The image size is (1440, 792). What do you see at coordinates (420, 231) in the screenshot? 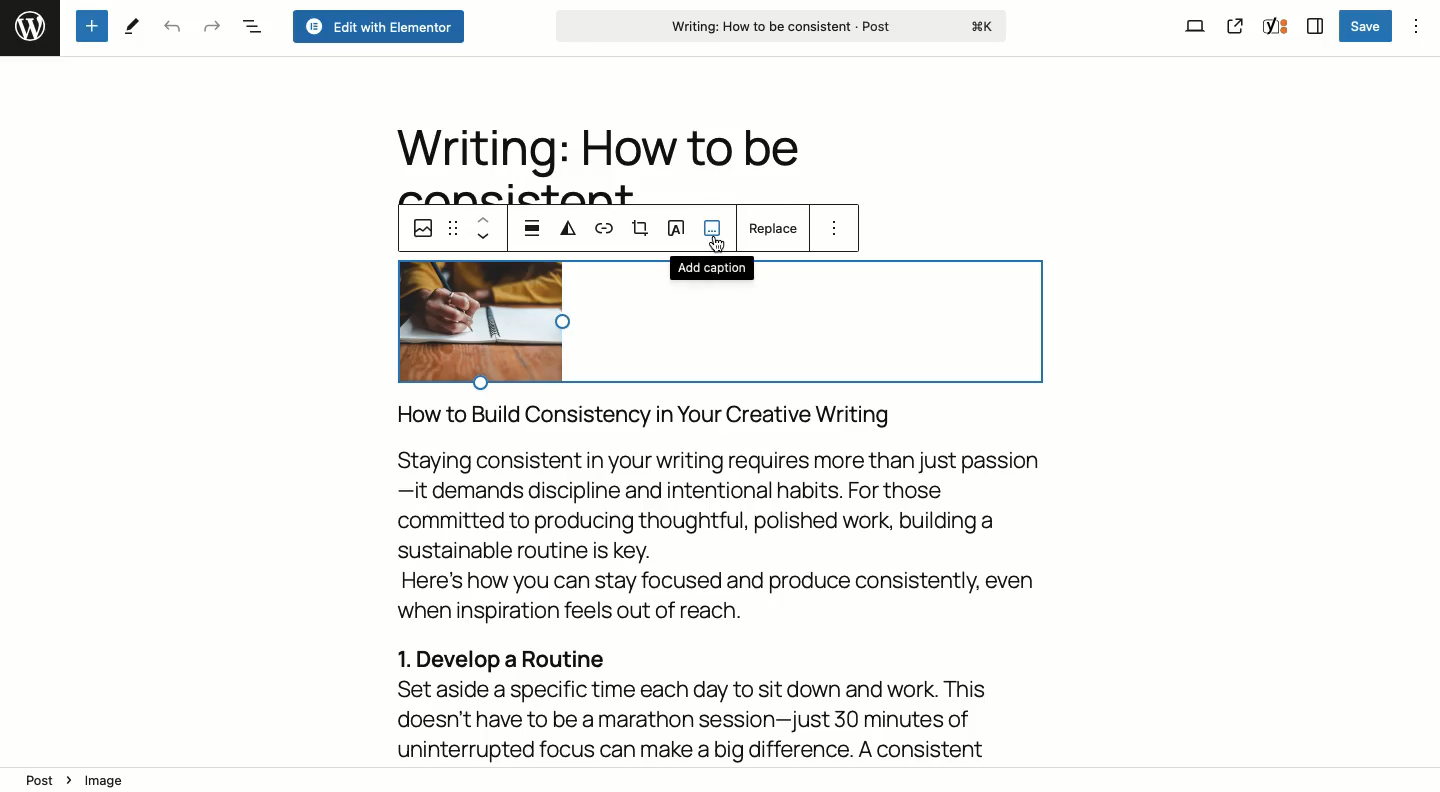
I see `Image` at bounding box center [420, 231].